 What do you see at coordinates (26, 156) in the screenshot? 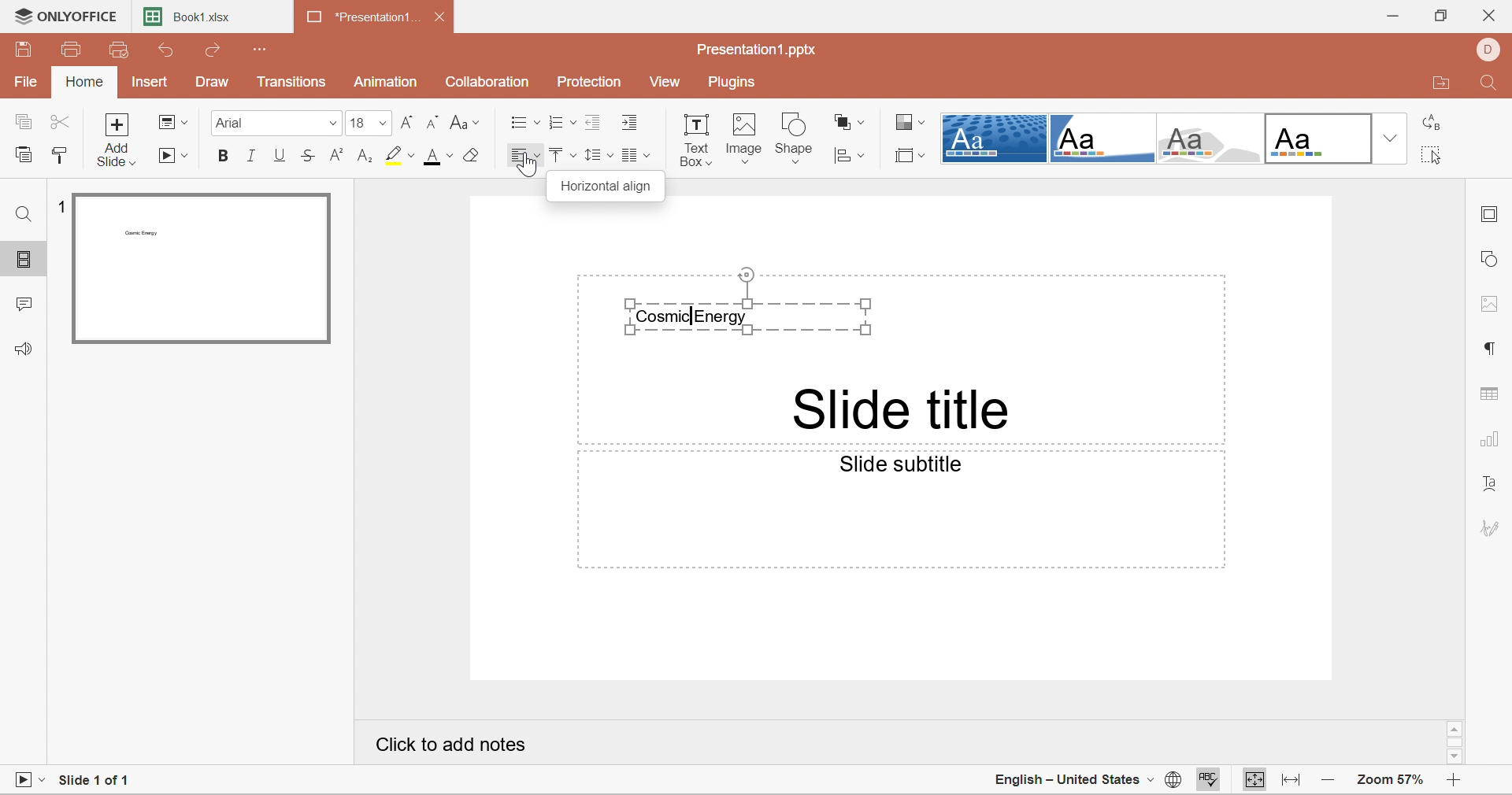
I see `Paste` at bounding box center [26, 156].